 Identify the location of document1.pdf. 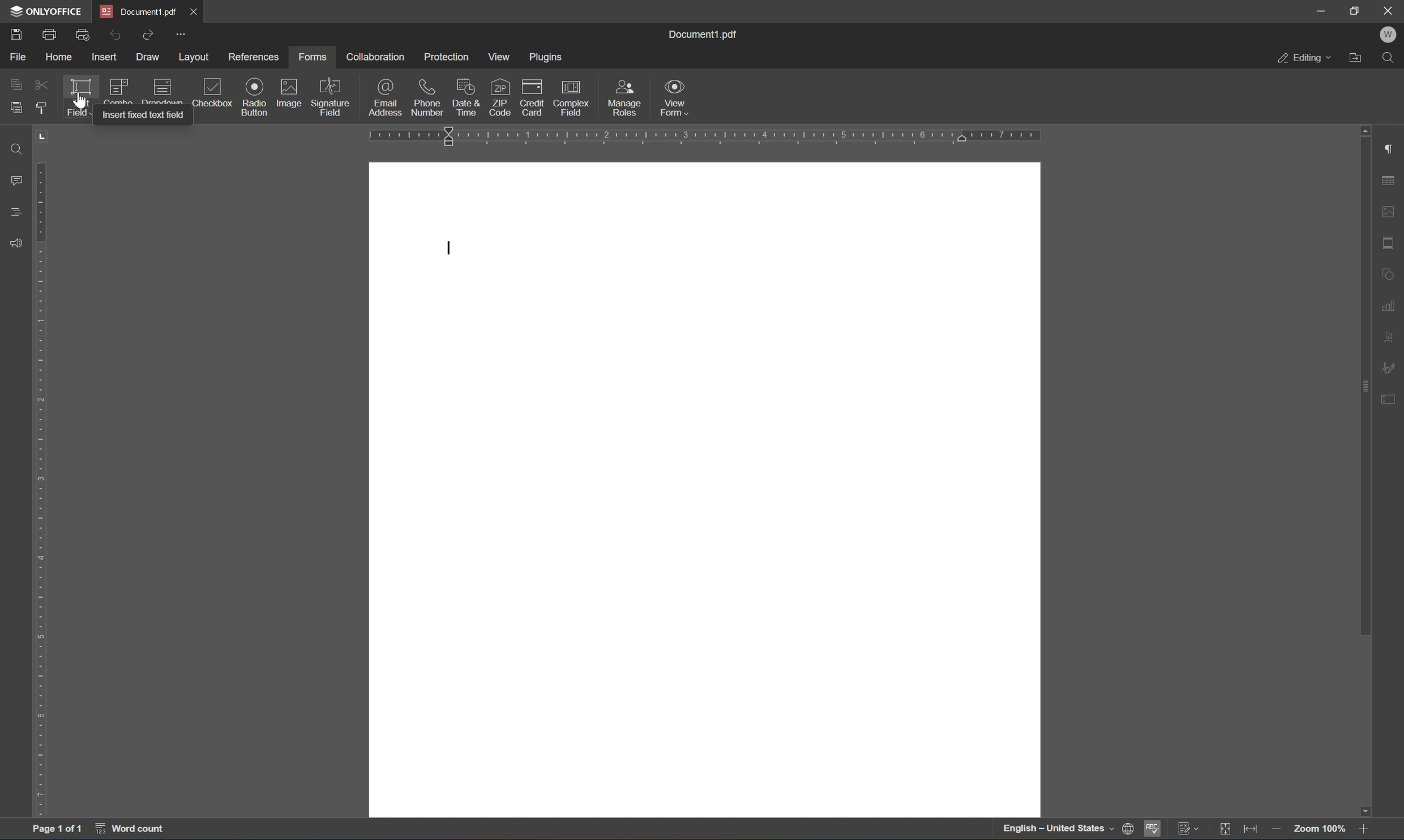
(136, 10).